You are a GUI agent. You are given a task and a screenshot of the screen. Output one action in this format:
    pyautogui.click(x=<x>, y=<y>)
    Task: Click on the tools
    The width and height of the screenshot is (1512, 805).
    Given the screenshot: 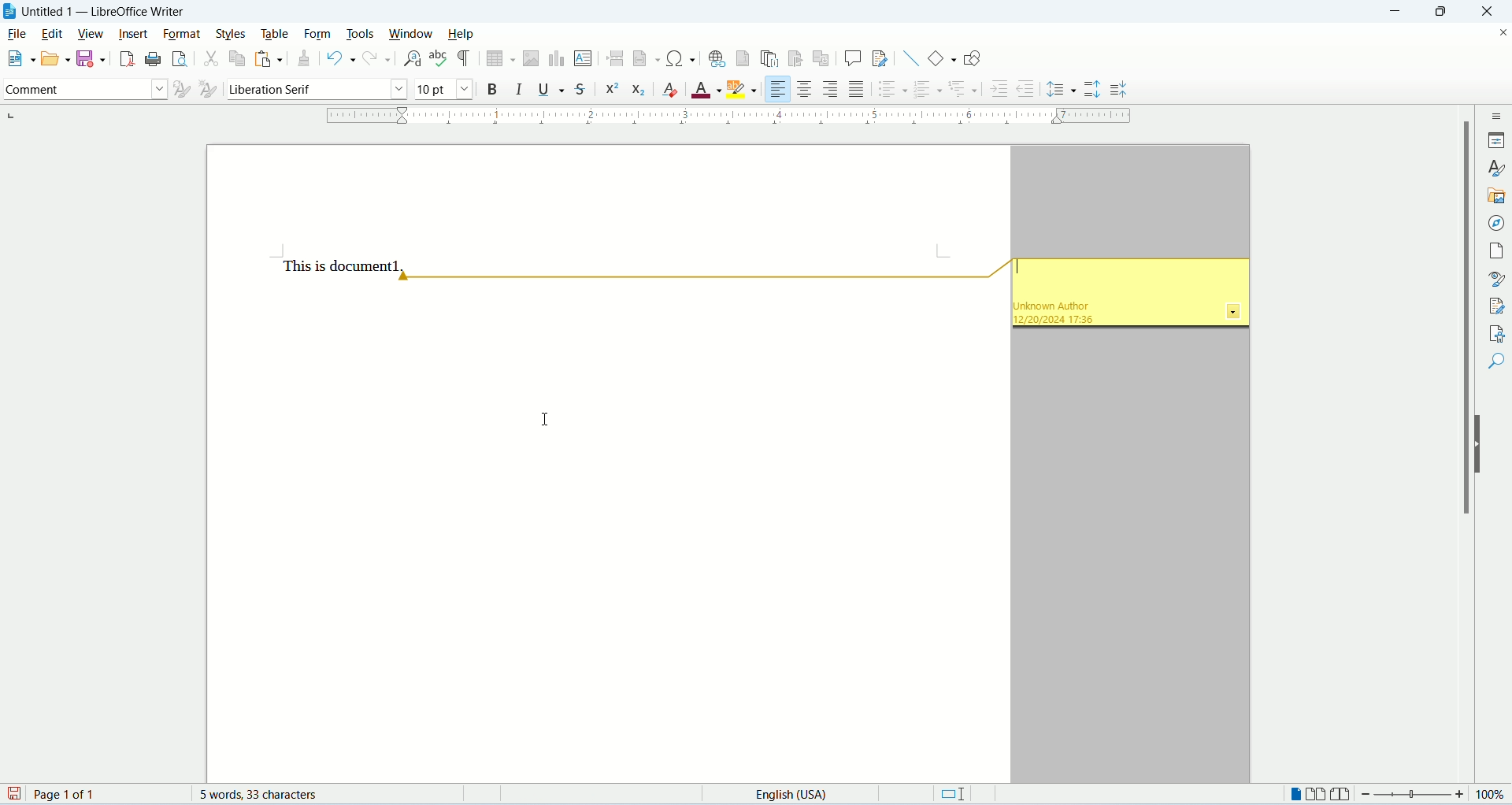 What is the action you would take?
    pyautogui.click(x=361, y=34)
    